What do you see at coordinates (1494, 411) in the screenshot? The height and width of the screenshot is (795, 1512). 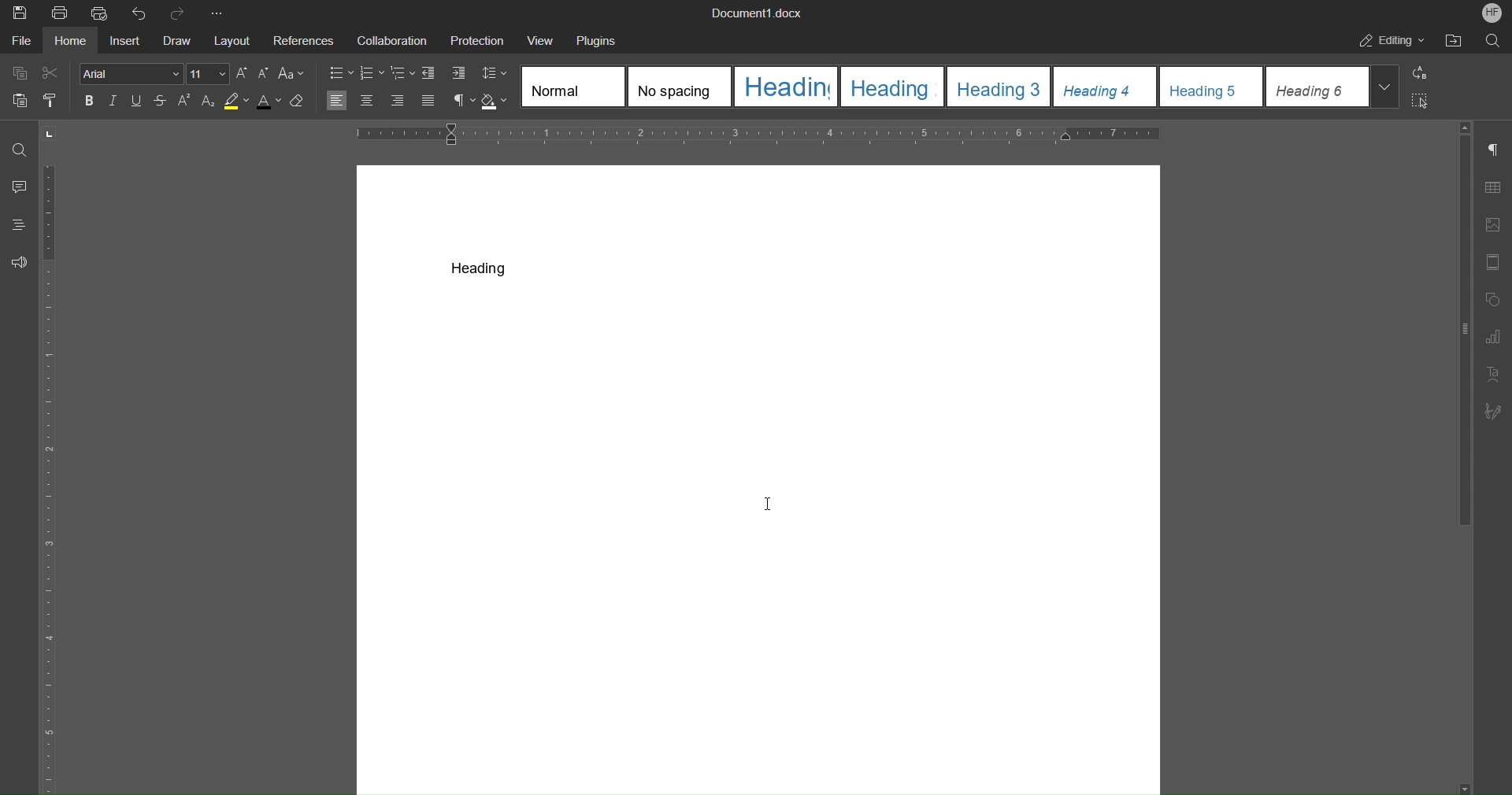 I see `Signature` at bounding box center [1494, 411].